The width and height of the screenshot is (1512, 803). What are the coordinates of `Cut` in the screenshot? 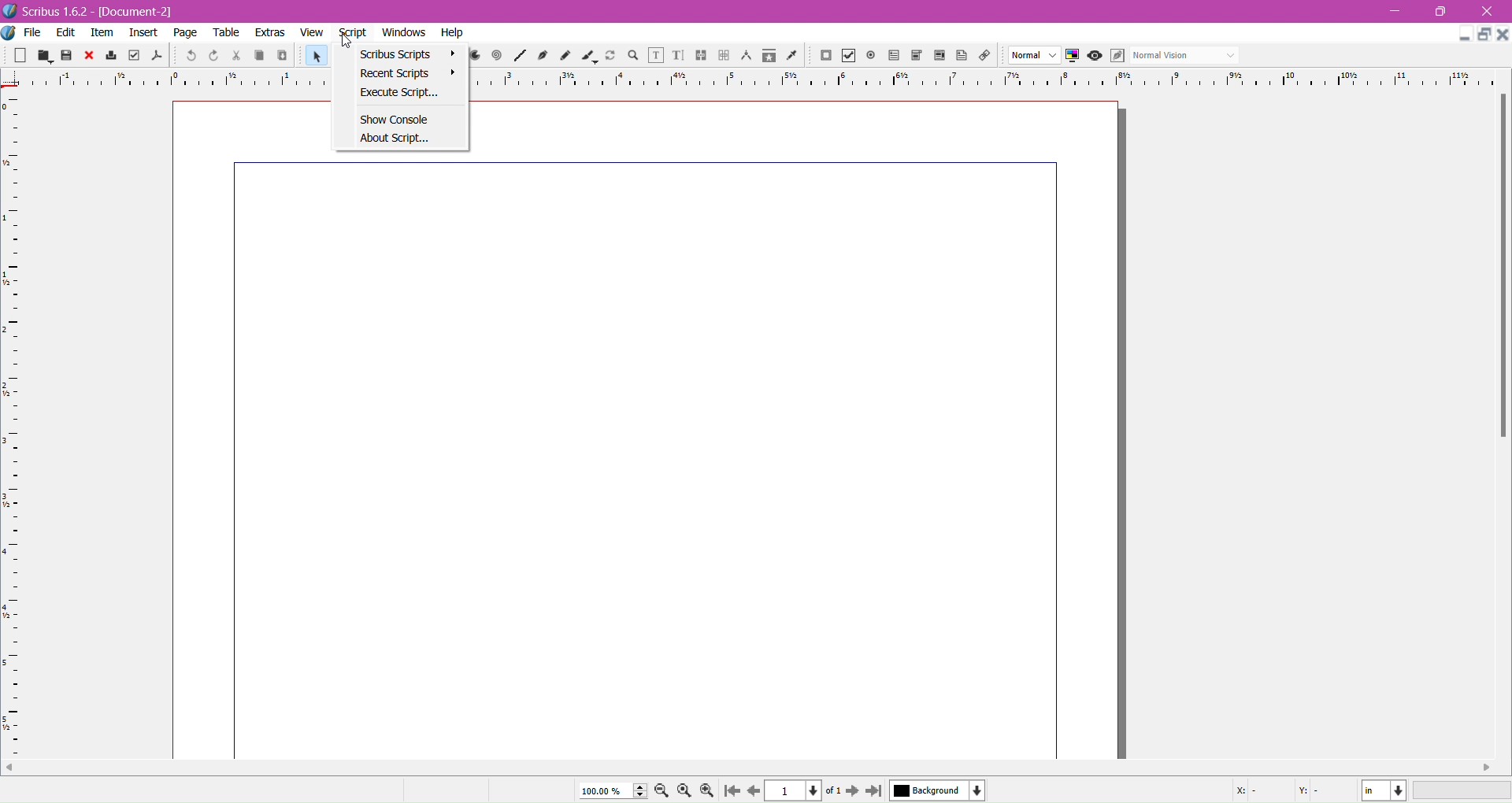 It's located at (235, 57).